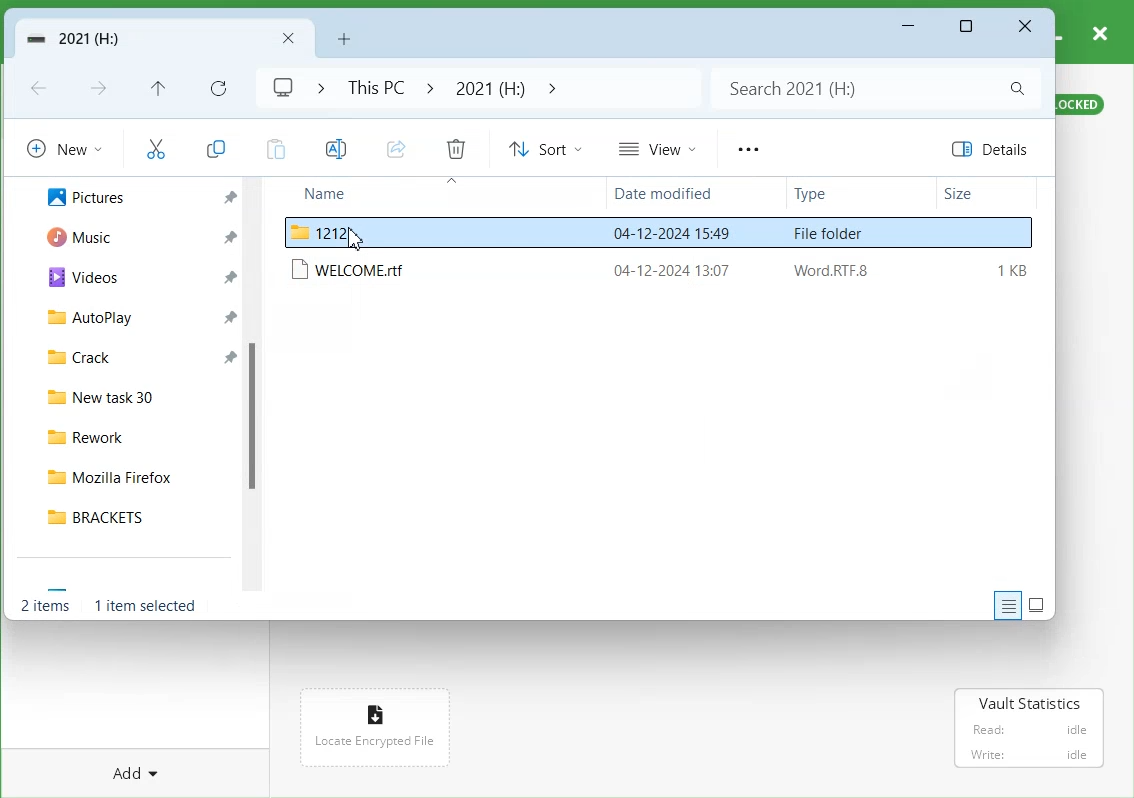 Image resolution: width=1134 pixels, height=798 pixels. What do you see at coordinates (216, 145) in the screenshot?
I see `Copy` at bounding box center [216, 145].